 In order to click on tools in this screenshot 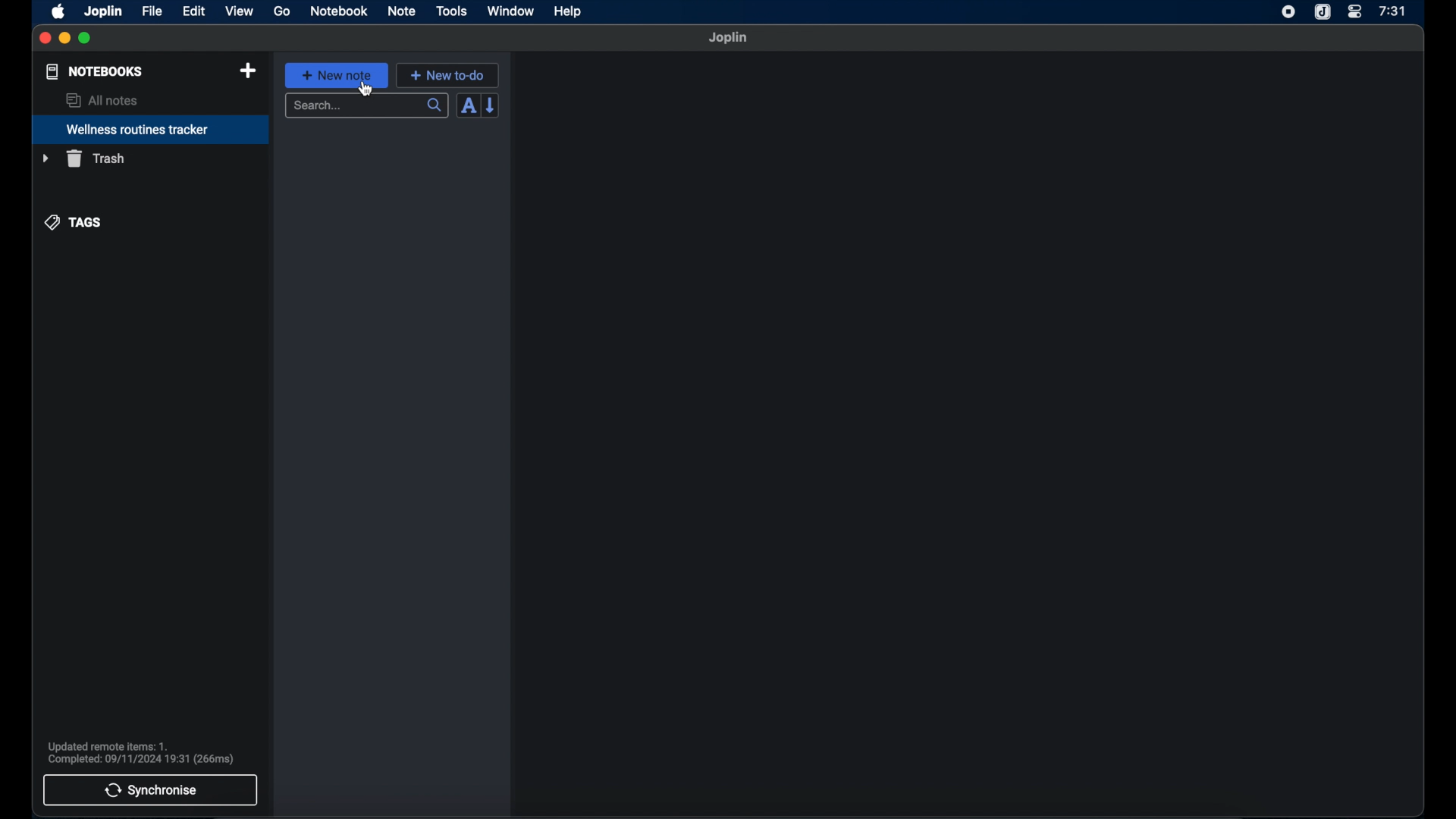, I will do `click(452, 11)`.